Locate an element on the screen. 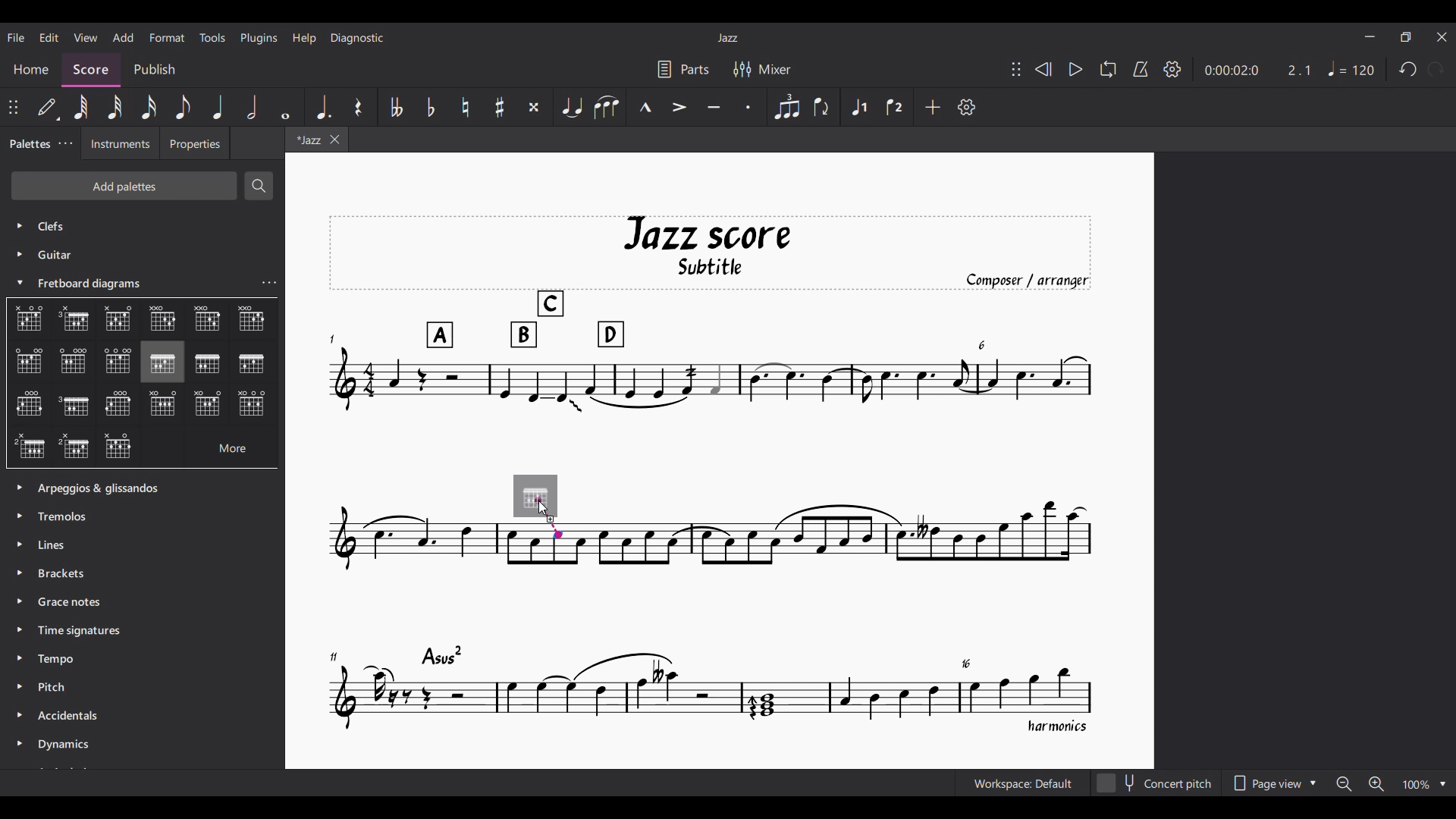  Chart3 is located at coordinates (120, 320).